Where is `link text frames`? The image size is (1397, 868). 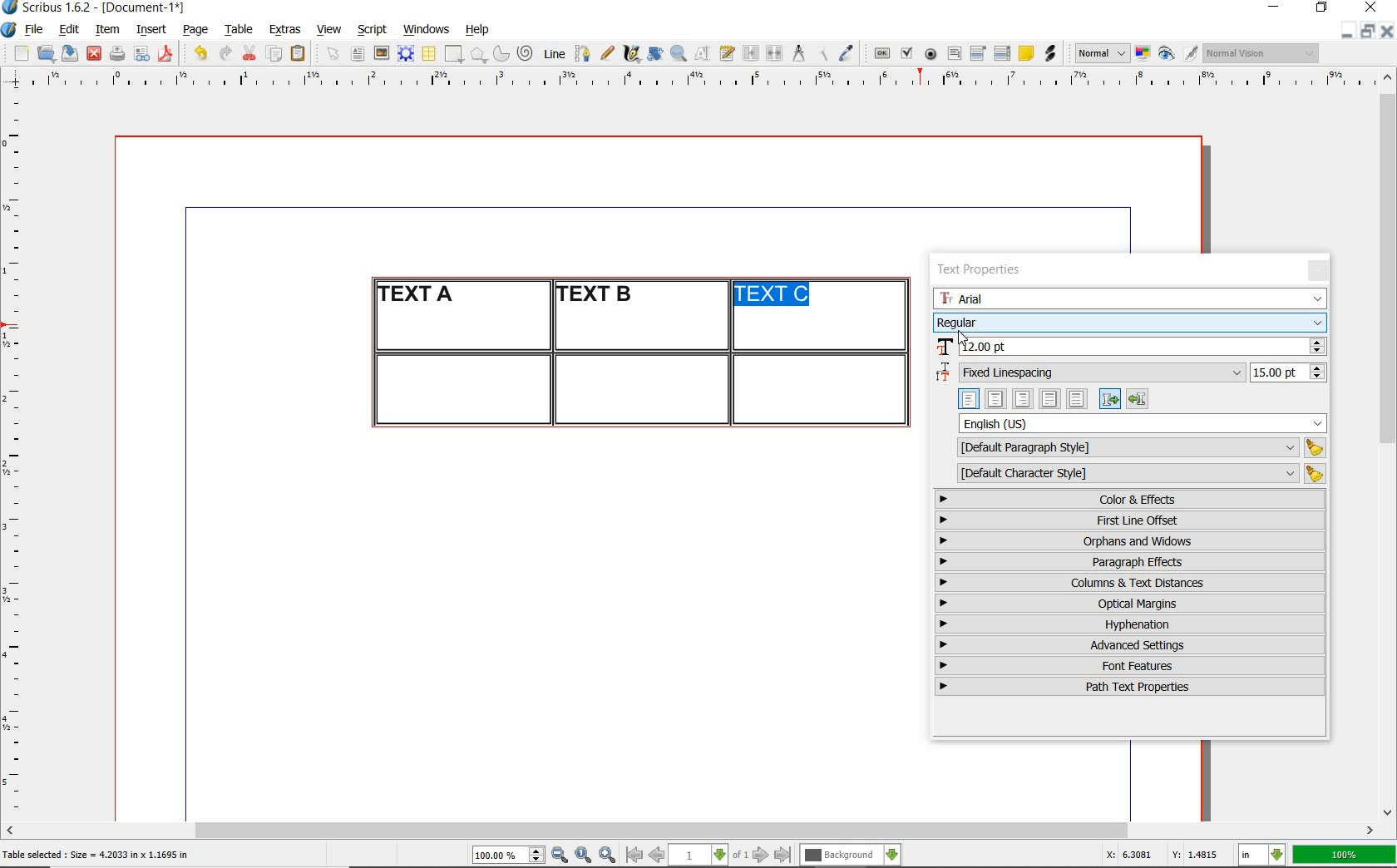 link text frames is located at coordinates (752, 55).